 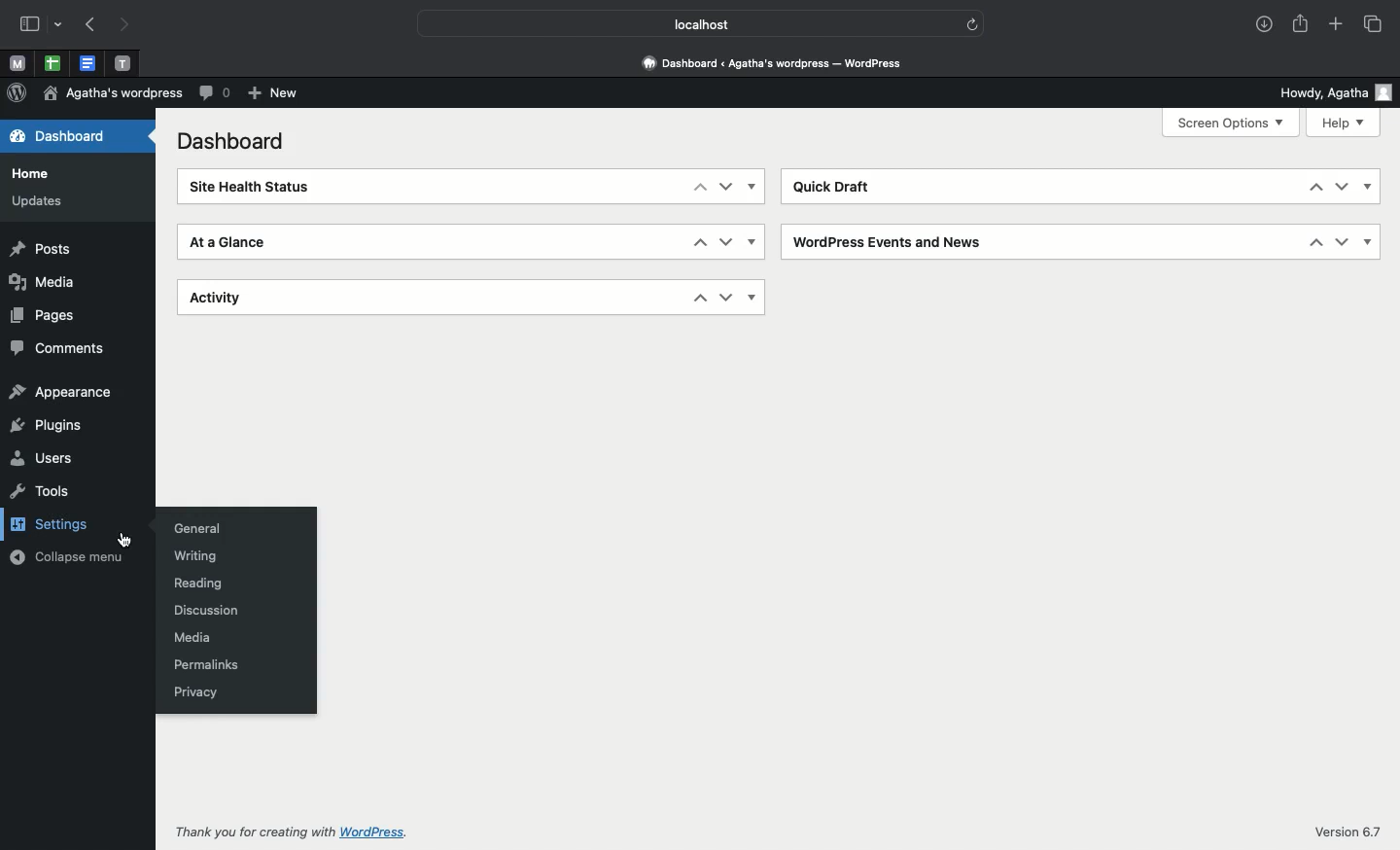 What do you see at coordinates (883, 243) in the screenshot?
I see `Wordpress events and news` at bounding box center [883, 243].